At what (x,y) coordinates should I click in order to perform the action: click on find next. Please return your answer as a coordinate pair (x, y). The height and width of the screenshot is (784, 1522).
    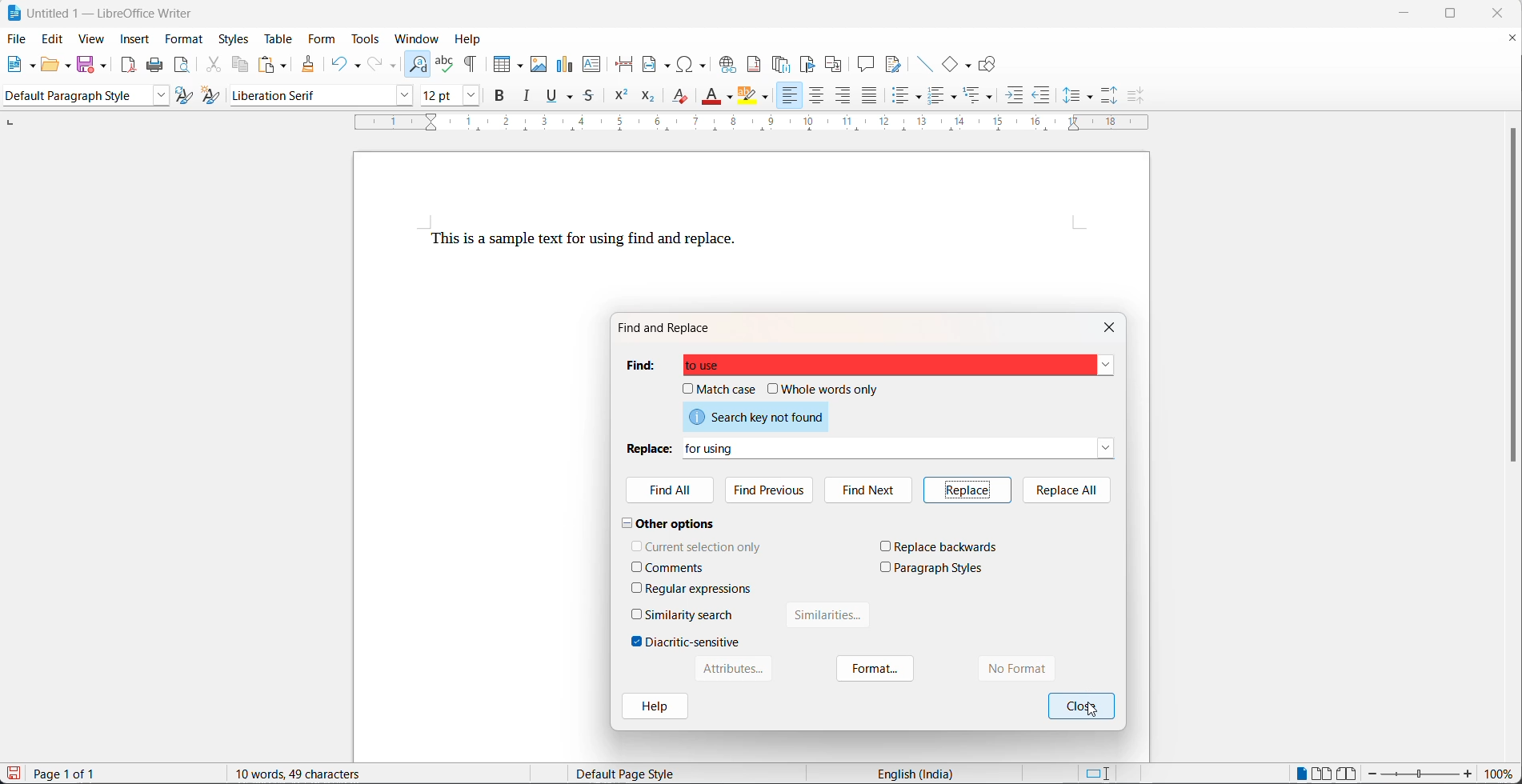
    Looking at the image, I should click on (869, 490).